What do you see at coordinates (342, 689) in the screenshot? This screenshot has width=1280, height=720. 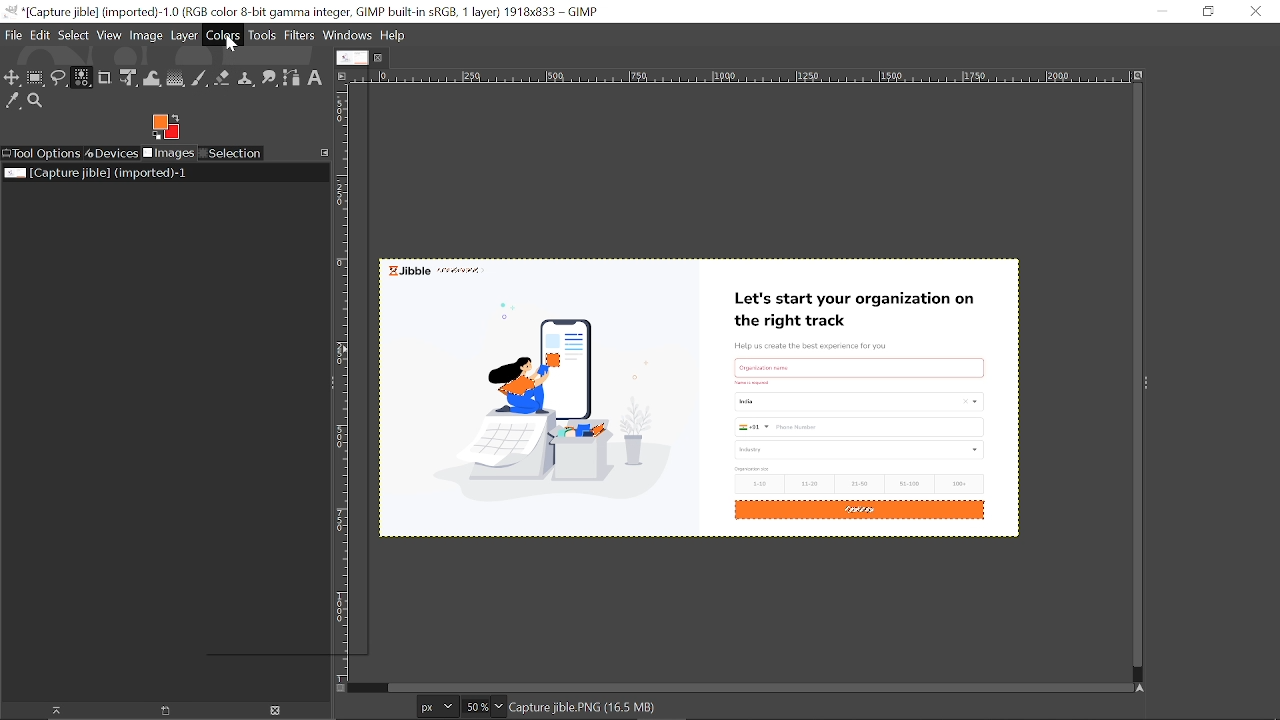 I see `navigate` at bounding box center [342, 689].